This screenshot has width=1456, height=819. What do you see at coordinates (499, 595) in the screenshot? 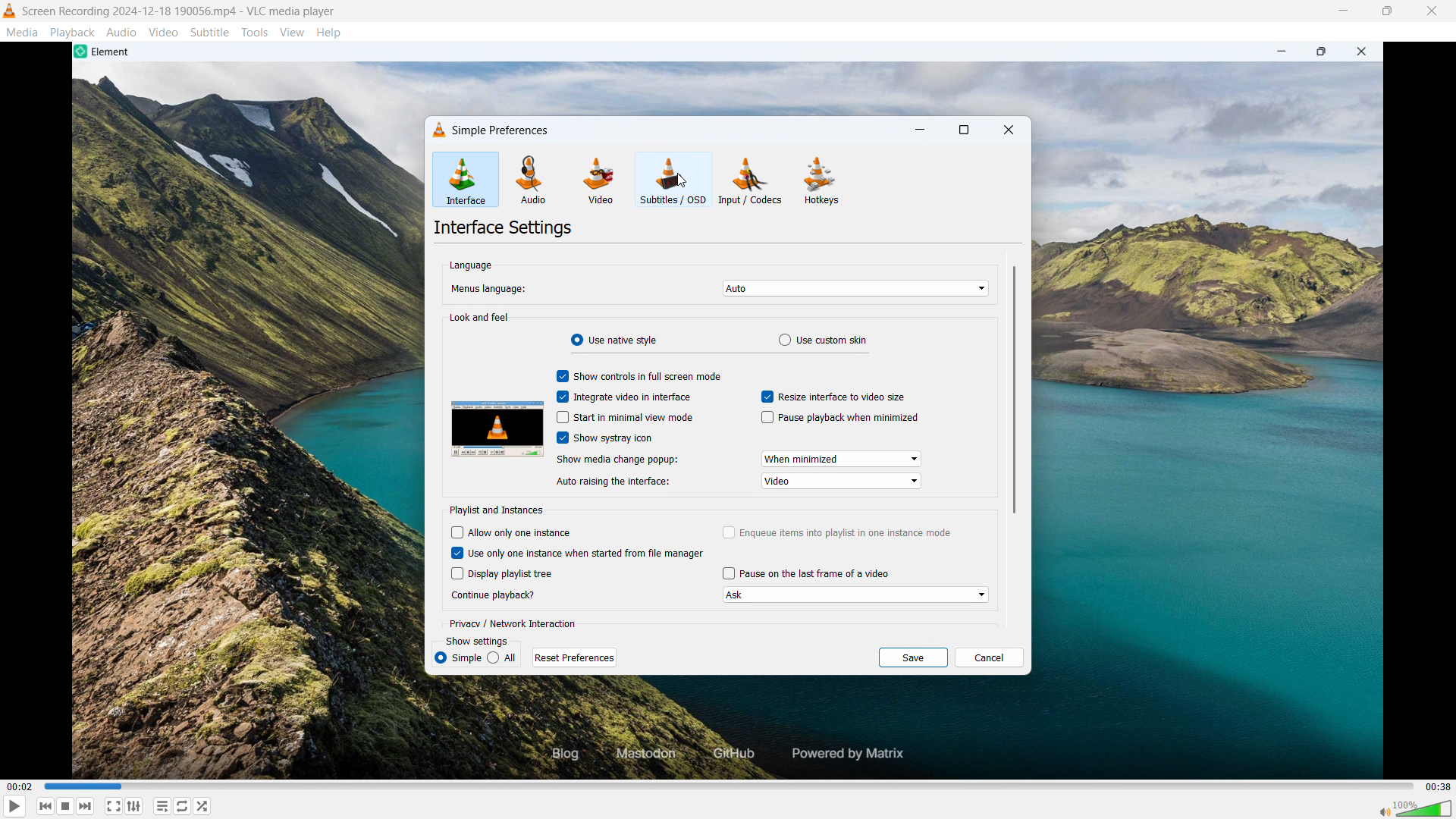
I see `Bl Continue playback?` at bounding box center [499, 595].